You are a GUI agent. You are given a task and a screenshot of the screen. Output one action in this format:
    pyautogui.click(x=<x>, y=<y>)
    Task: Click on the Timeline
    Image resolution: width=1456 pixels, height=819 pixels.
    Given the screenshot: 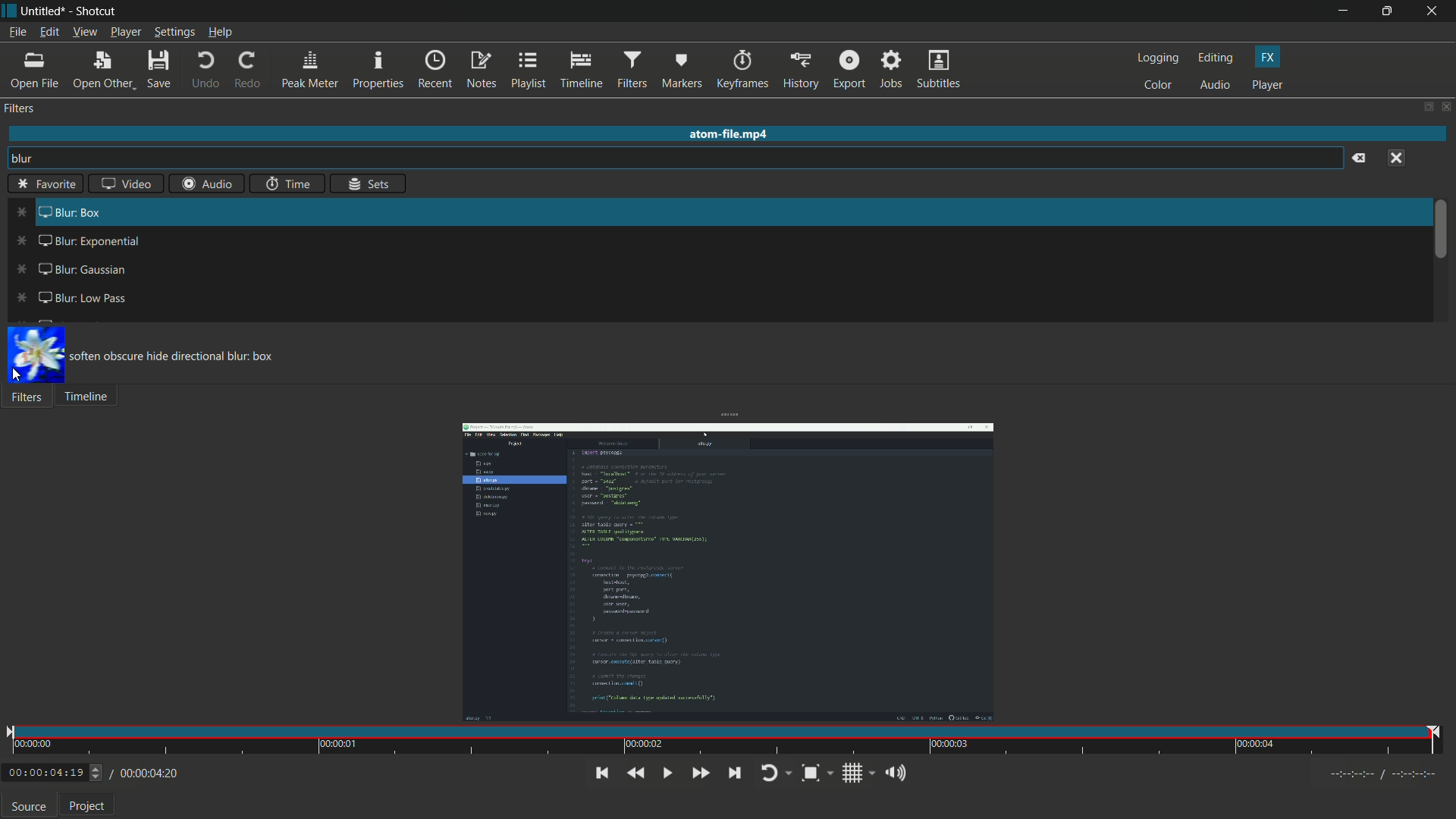 What is the action you would take?
    pyautogui.click(x=90, y=398)
    